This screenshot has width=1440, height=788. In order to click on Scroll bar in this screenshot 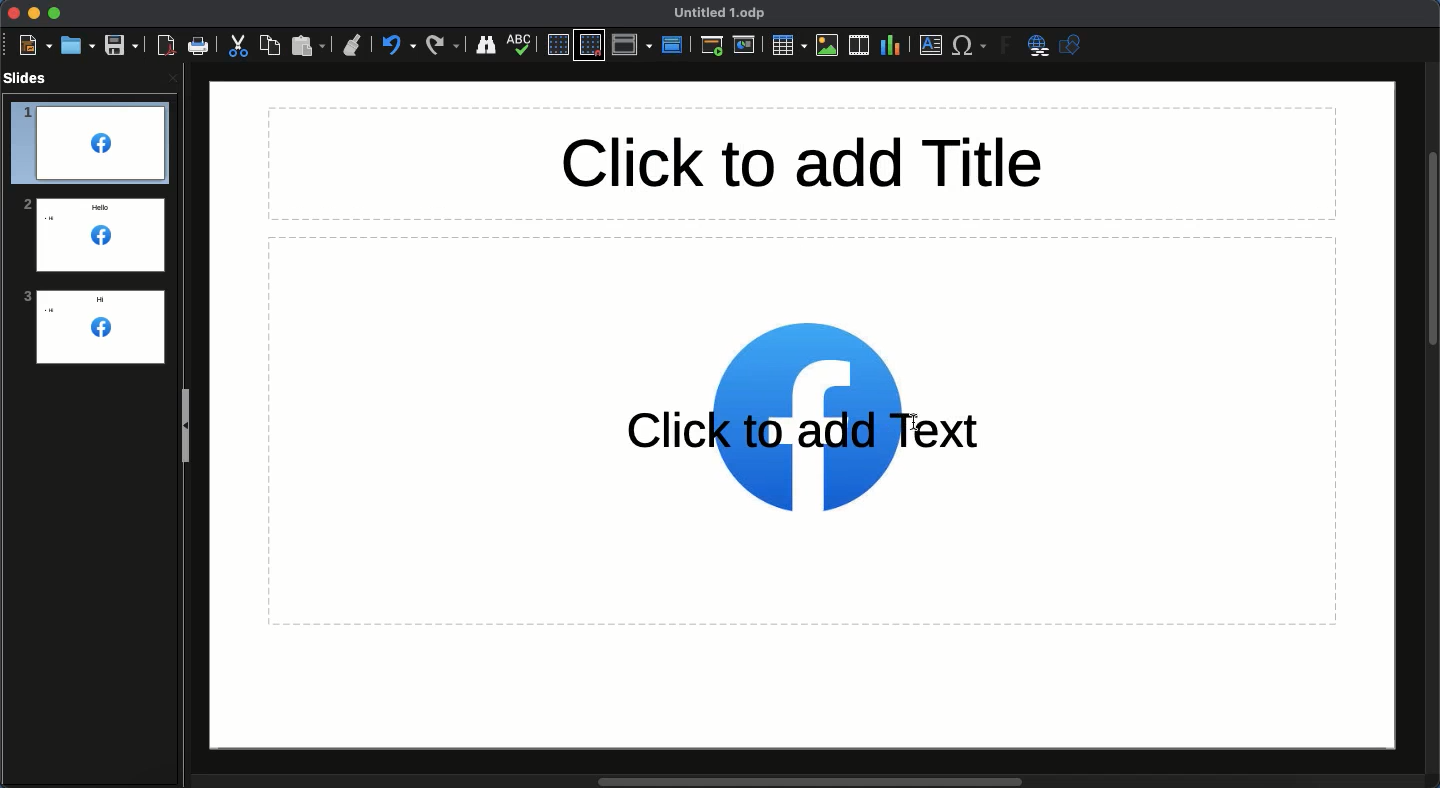, I will do `click(1431, 249)`.